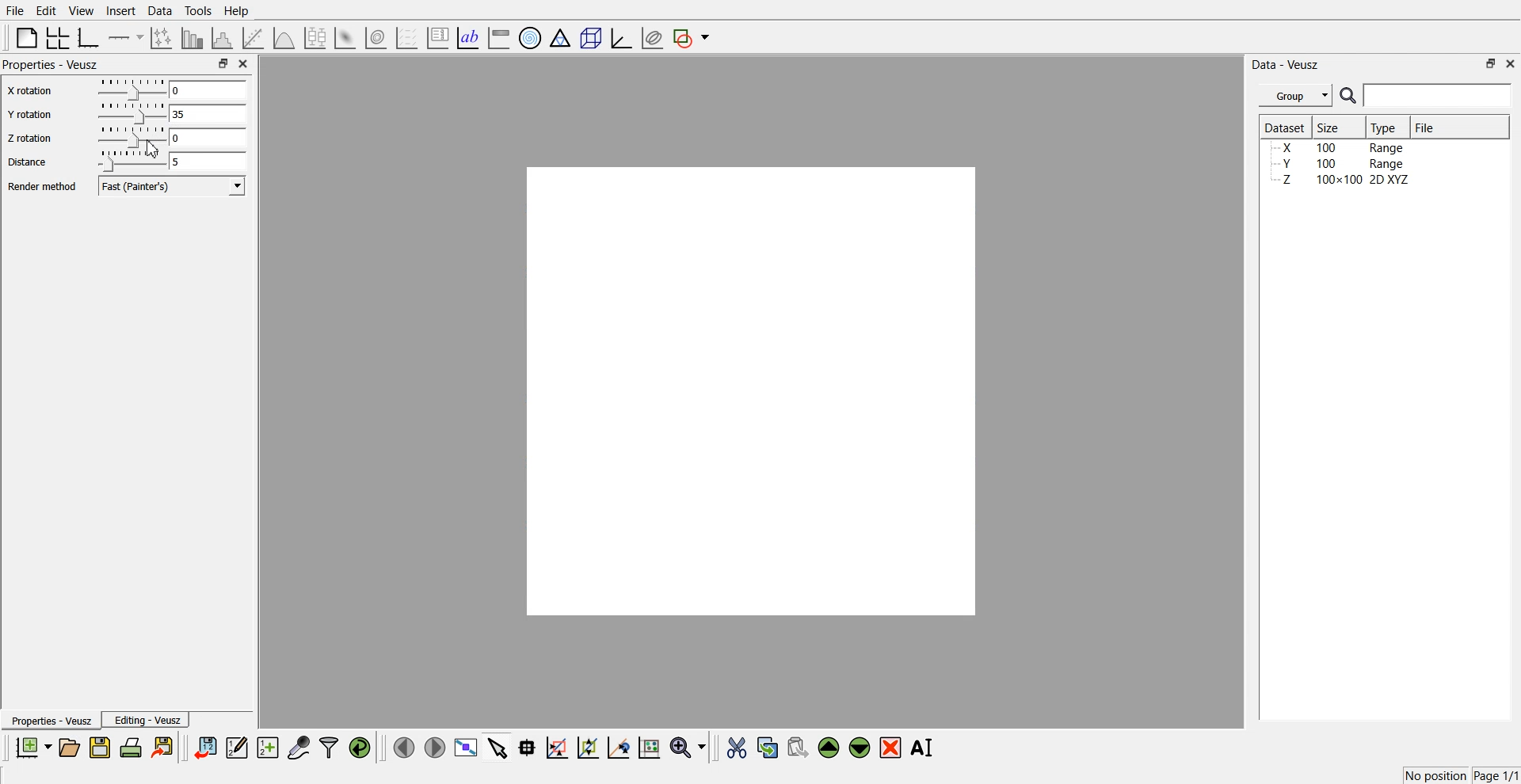 Image resolution: width=1521 pixels, height=784 pixels. I want to click on Search Bar, so click(1427, 95).